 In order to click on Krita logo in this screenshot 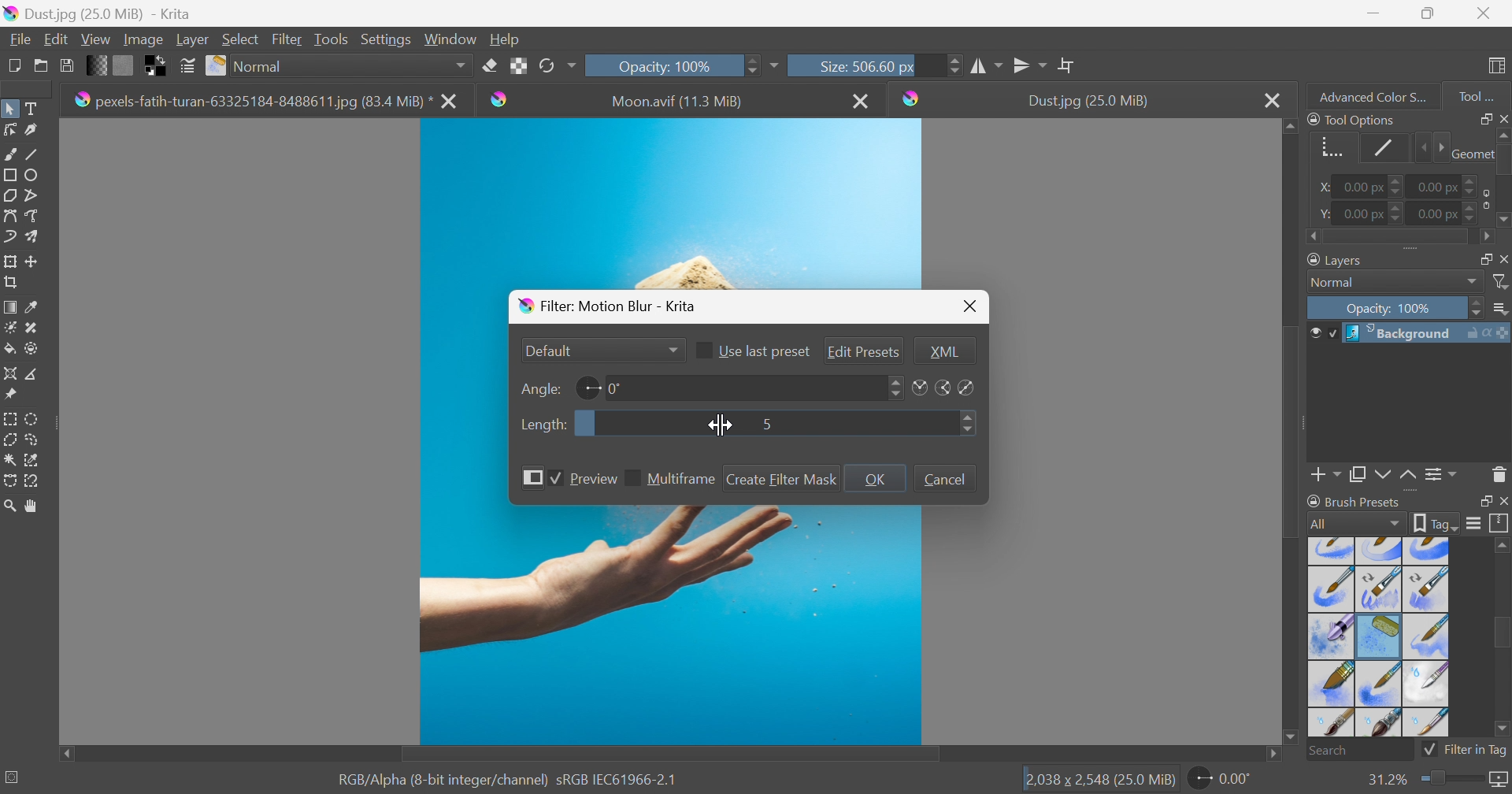, I will do `click(912, 98)`.